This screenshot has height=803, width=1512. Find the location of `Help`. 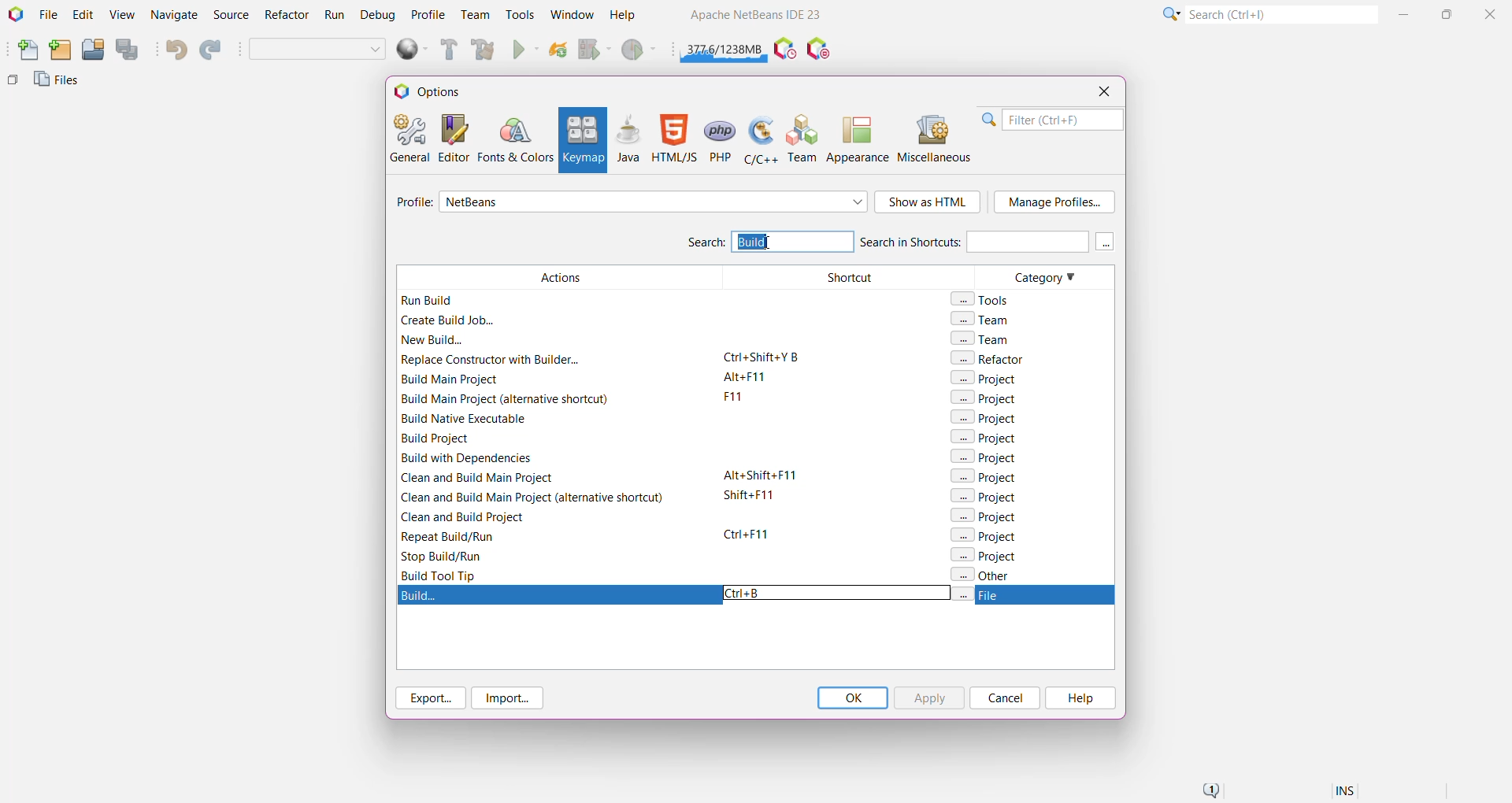

Help is located at coordinates (1079, 698).